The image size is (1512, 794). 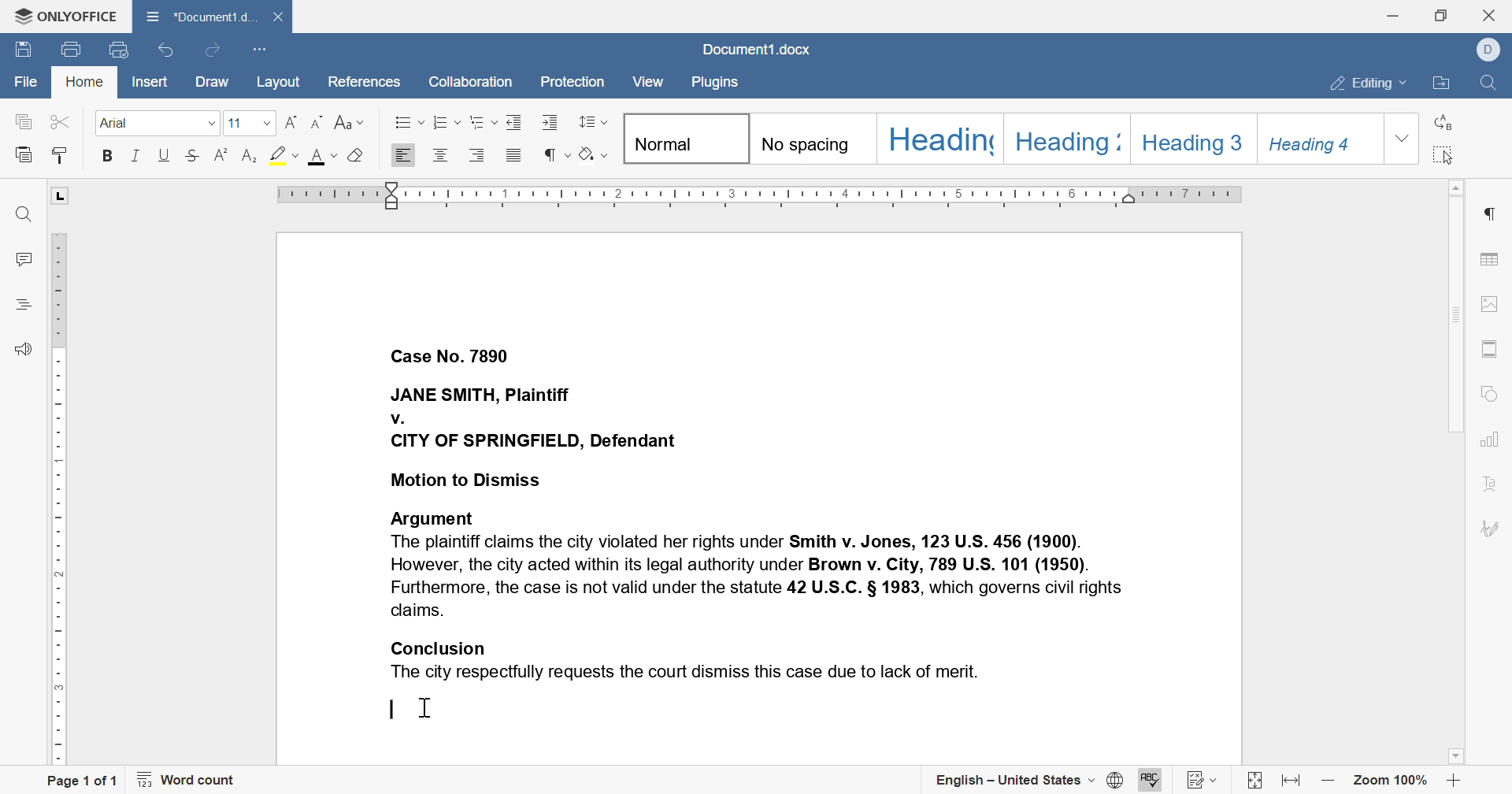 I want to click on close, so click(x=280, y=17).